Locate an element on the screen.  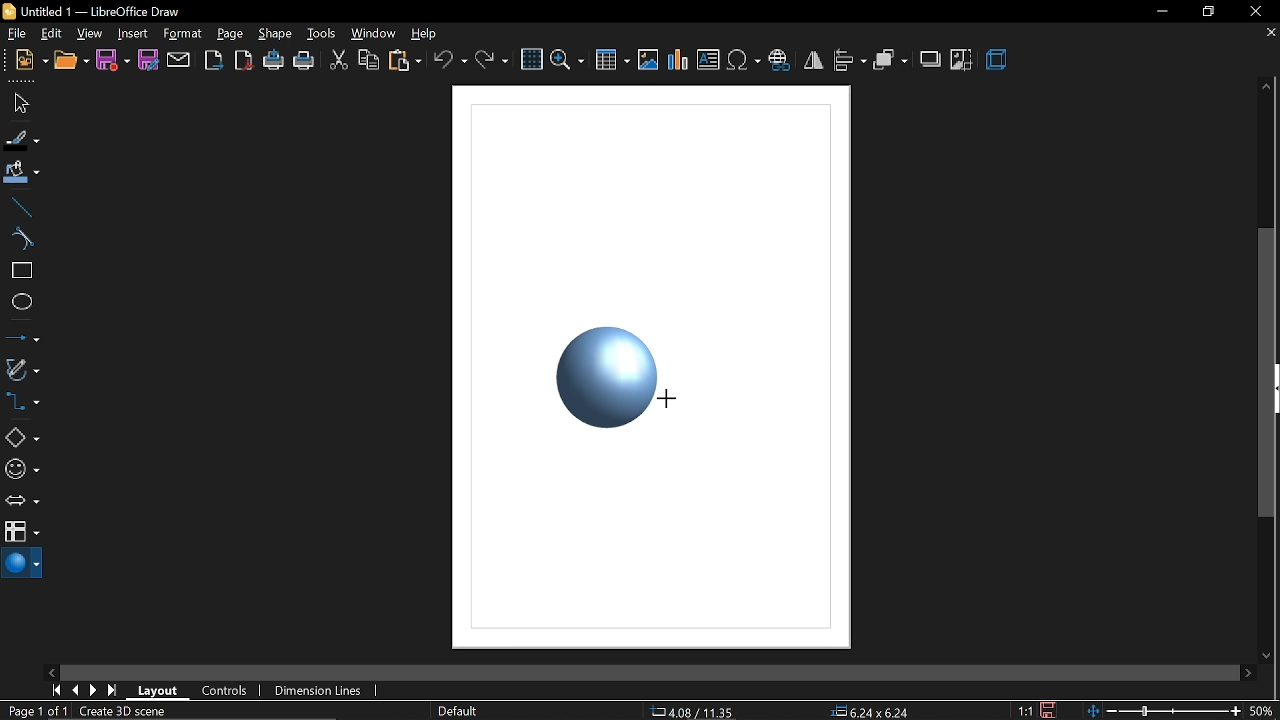
insert table is located at coordinates (612, 61).